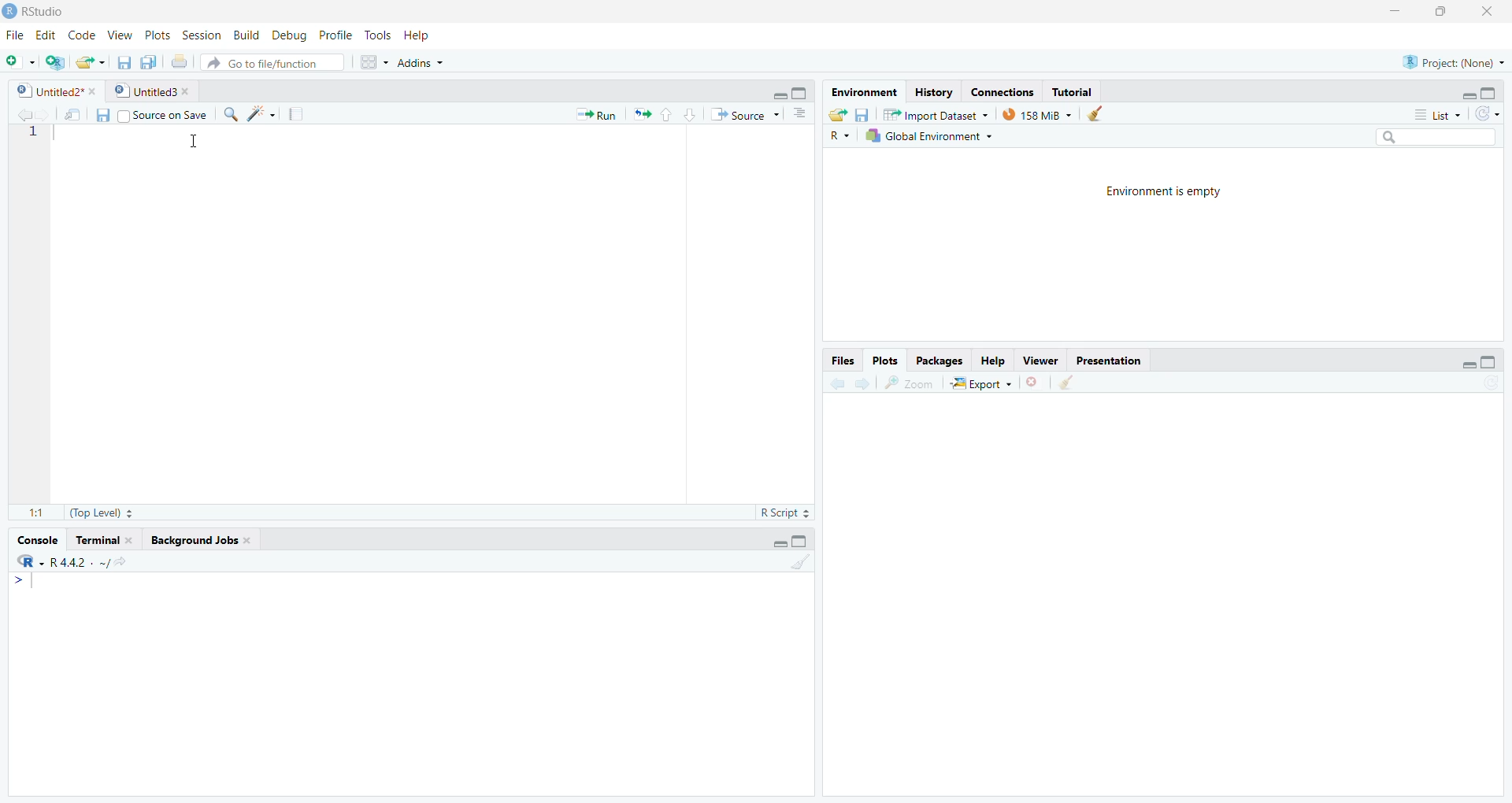 The width and height of the screenshot is (1512, 803). I want to click on Viewer, so click(1041, 361).